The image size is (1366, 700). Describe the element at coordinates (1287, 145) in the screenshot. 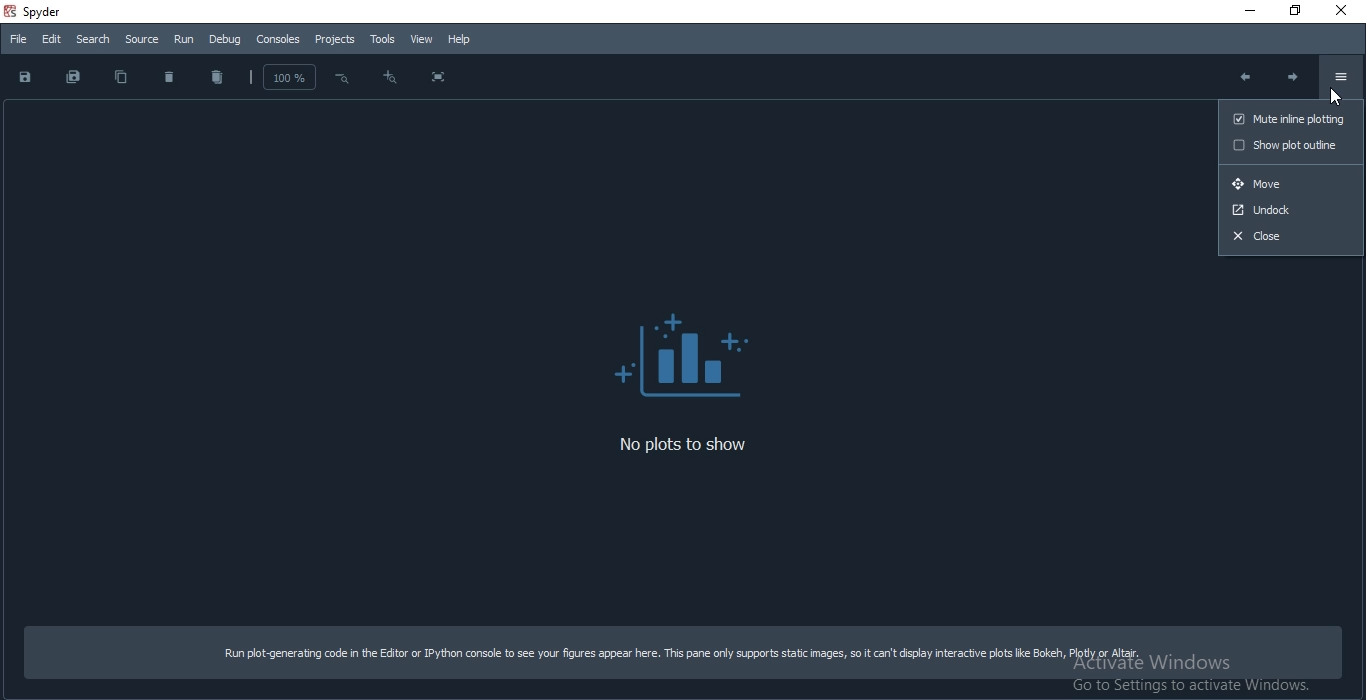

I see `show plot outline` at that location.